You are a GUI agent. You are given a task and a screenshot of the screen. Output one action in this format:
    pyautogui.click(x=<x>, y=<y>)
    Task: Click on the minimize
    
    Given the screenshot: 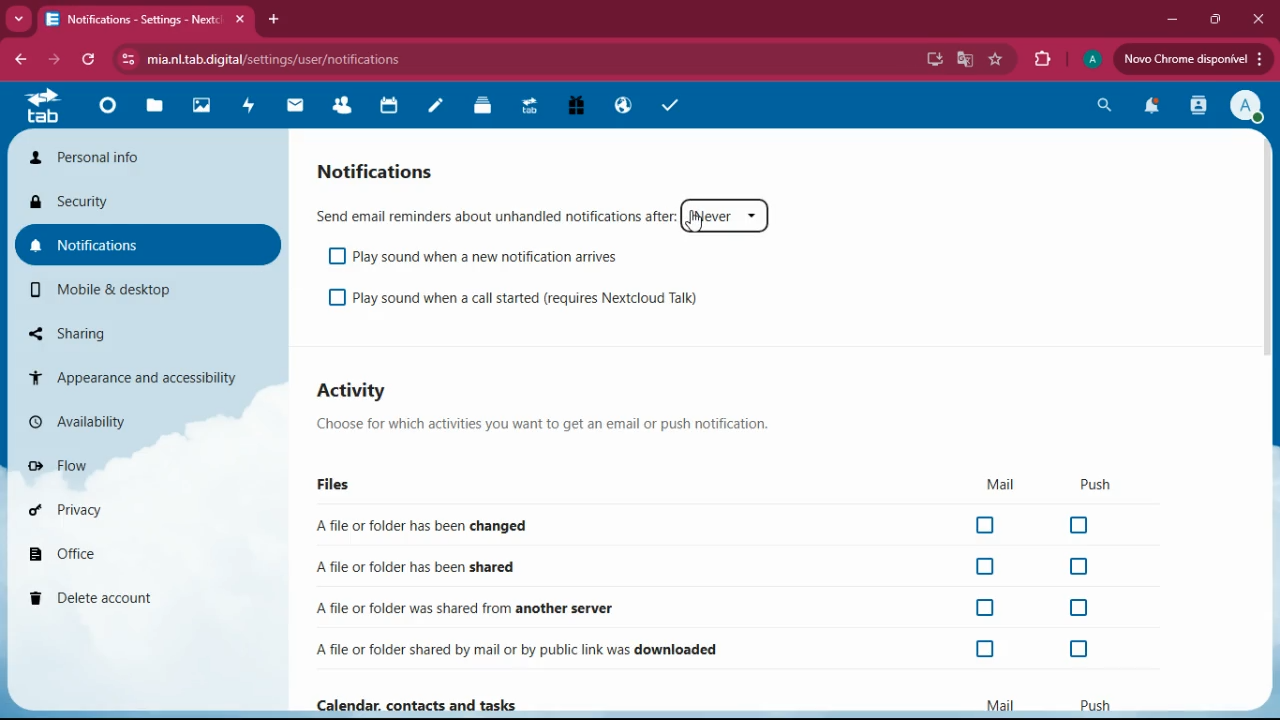 What is the action you would take?
    pyautogui.click(x=1175, y=19)
    